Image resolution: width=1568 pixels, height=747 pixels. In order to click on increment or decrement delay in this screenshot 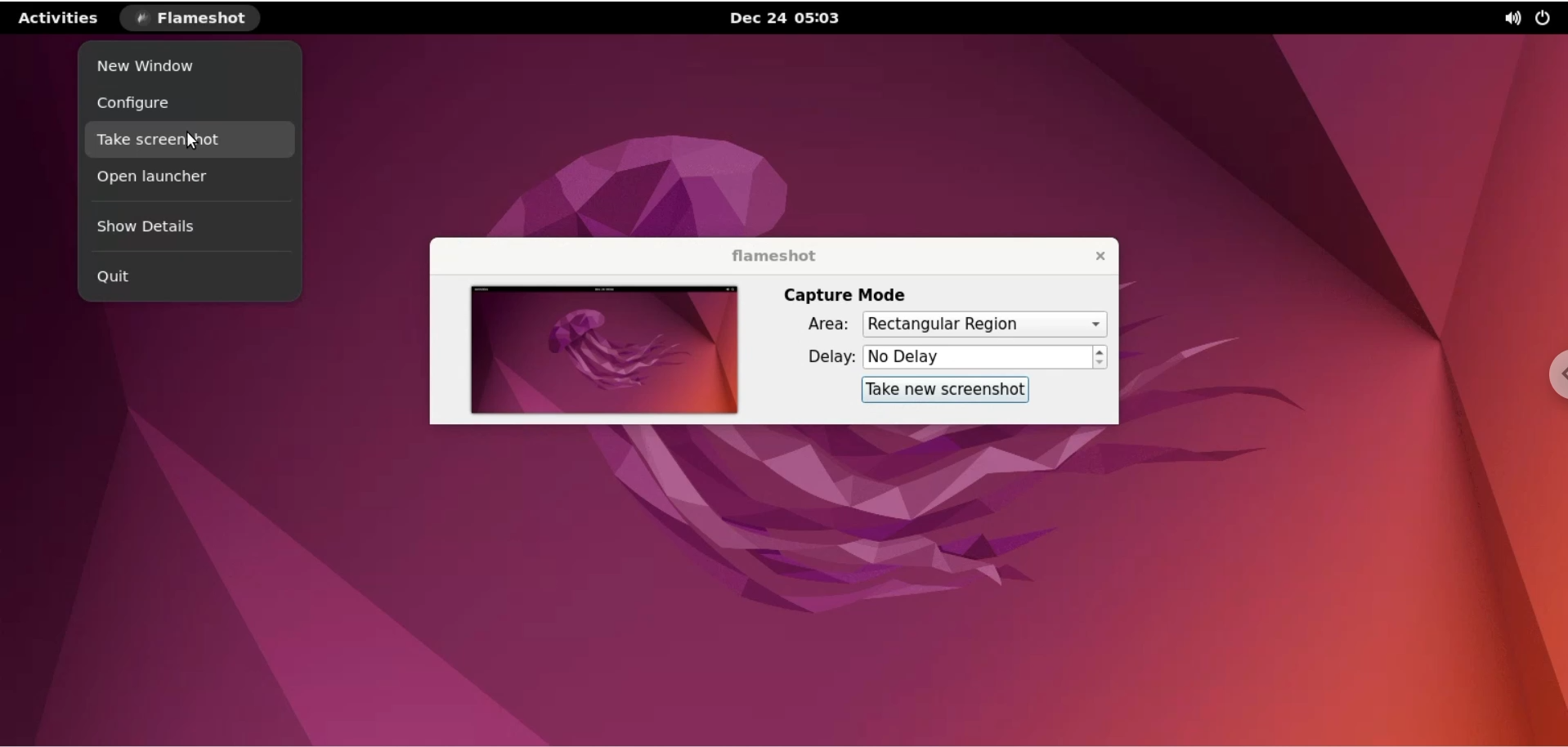, I will do `click(1098, 356)`.